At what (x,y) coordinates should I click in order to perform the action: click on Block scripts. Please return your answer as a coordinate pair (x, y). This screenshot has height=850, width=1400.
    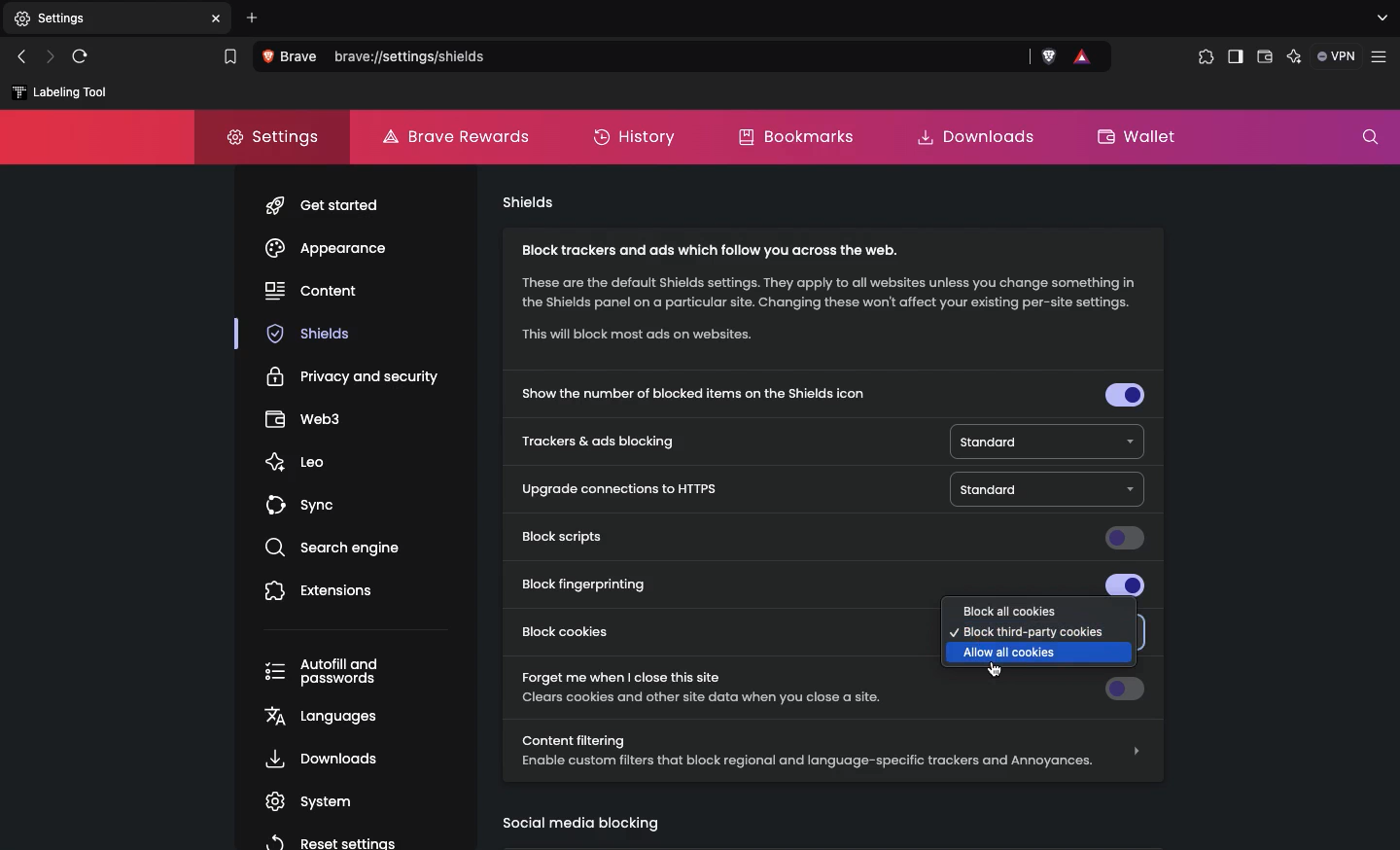
    Looking at the image, I should click on (830, 539).